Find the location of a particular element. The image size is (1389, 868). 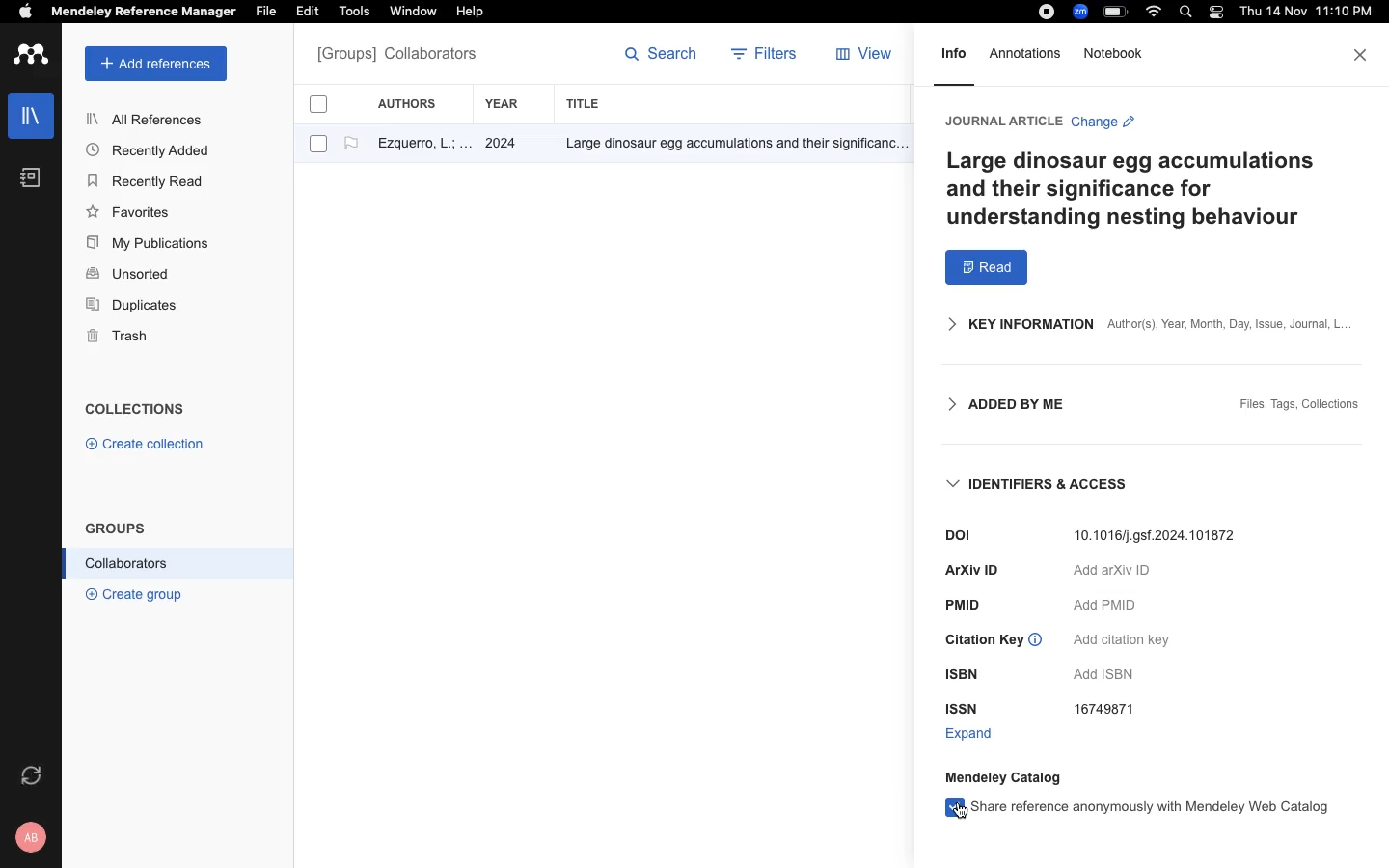

Add citation key is located at coordinates (1121, 641).